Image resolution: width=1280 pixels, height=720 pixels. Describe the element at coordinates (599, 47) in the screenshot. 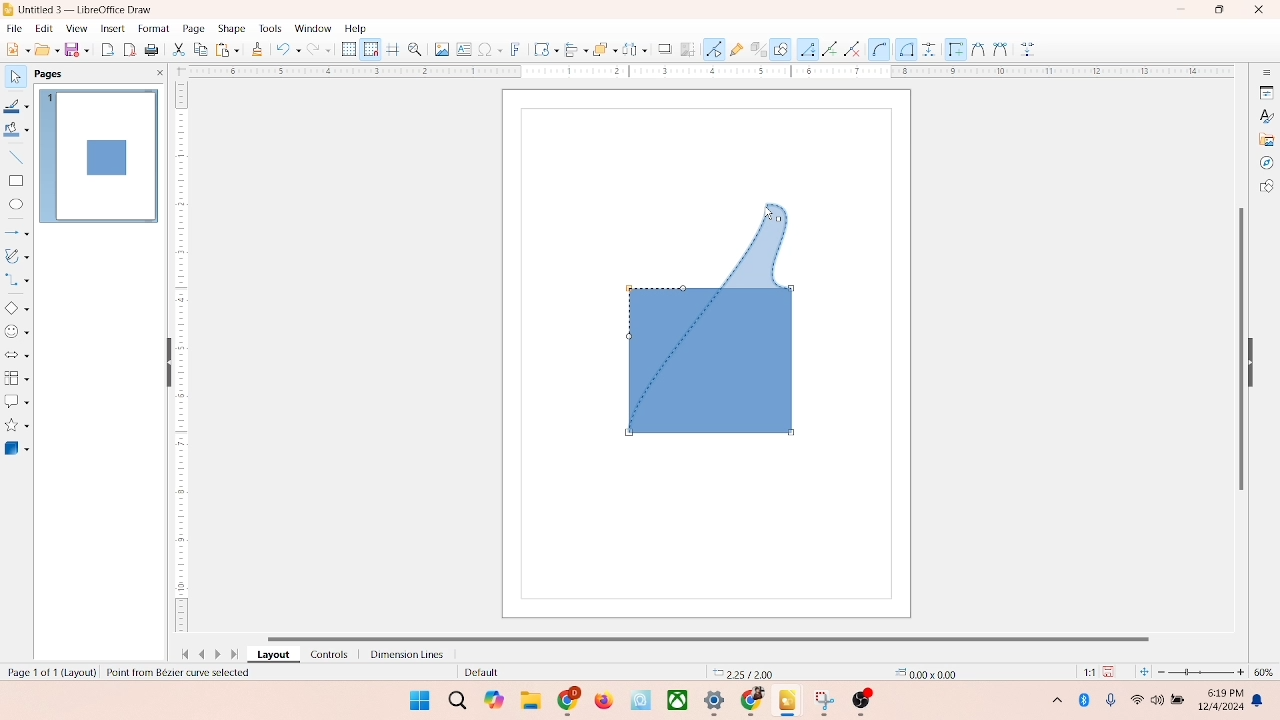

I see `arrange` at that location.